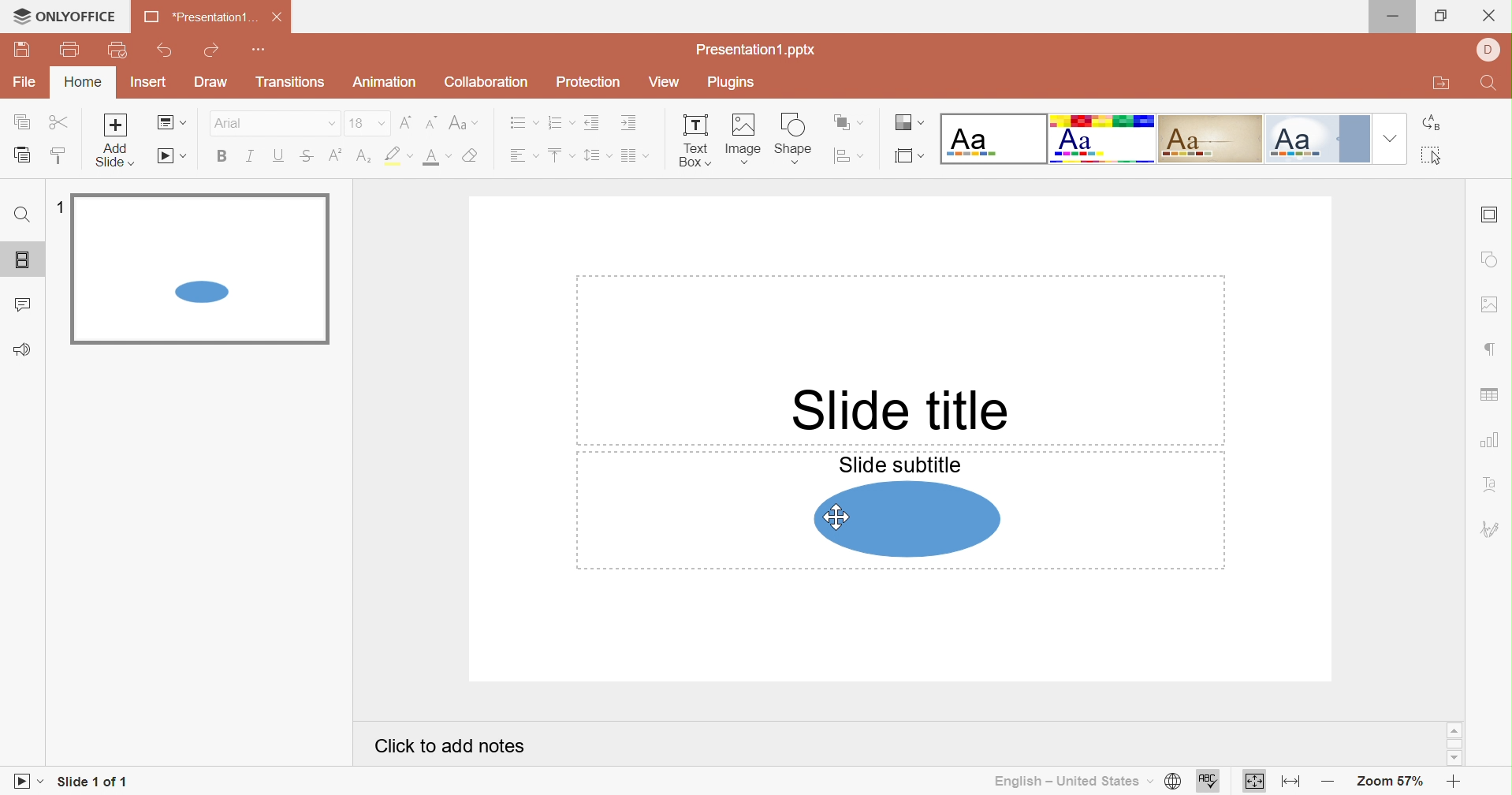 This screenshot has height=795, width=1512. Describe the element at coordinates (847, 121) in the screenshot. I see `Arrange shape` at that location.